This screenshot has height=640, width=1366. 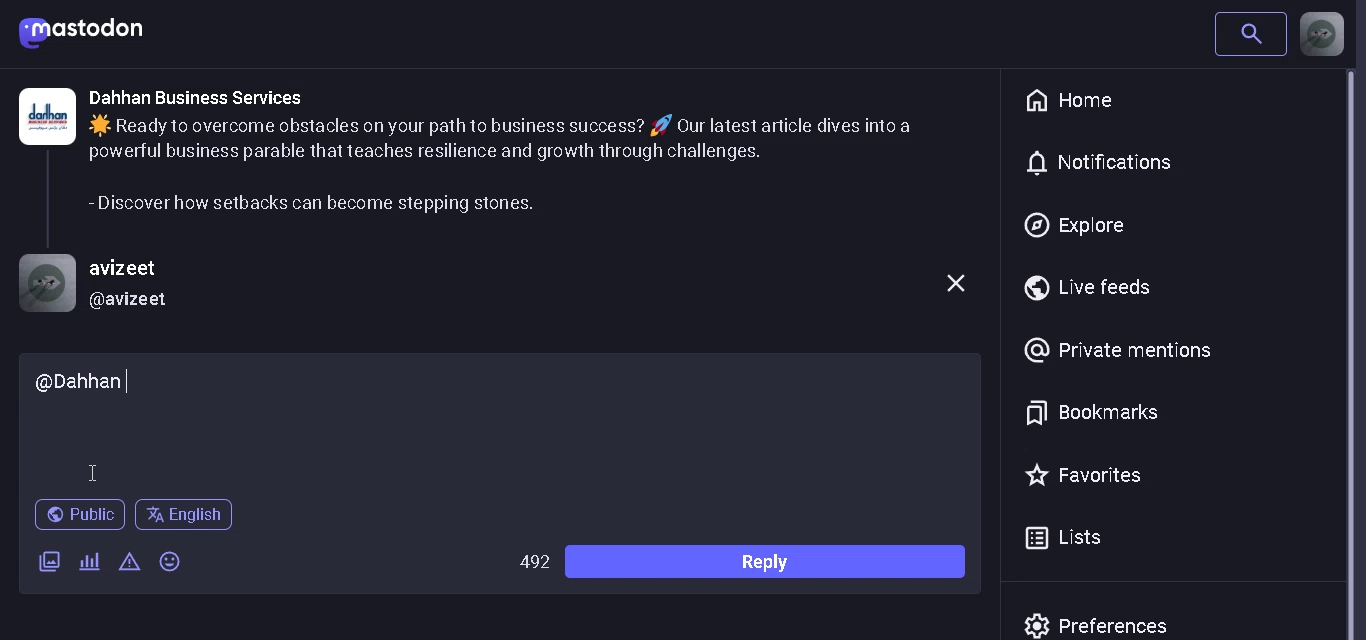 I want to click on Scrollbar, so click(x=1358, y=356).